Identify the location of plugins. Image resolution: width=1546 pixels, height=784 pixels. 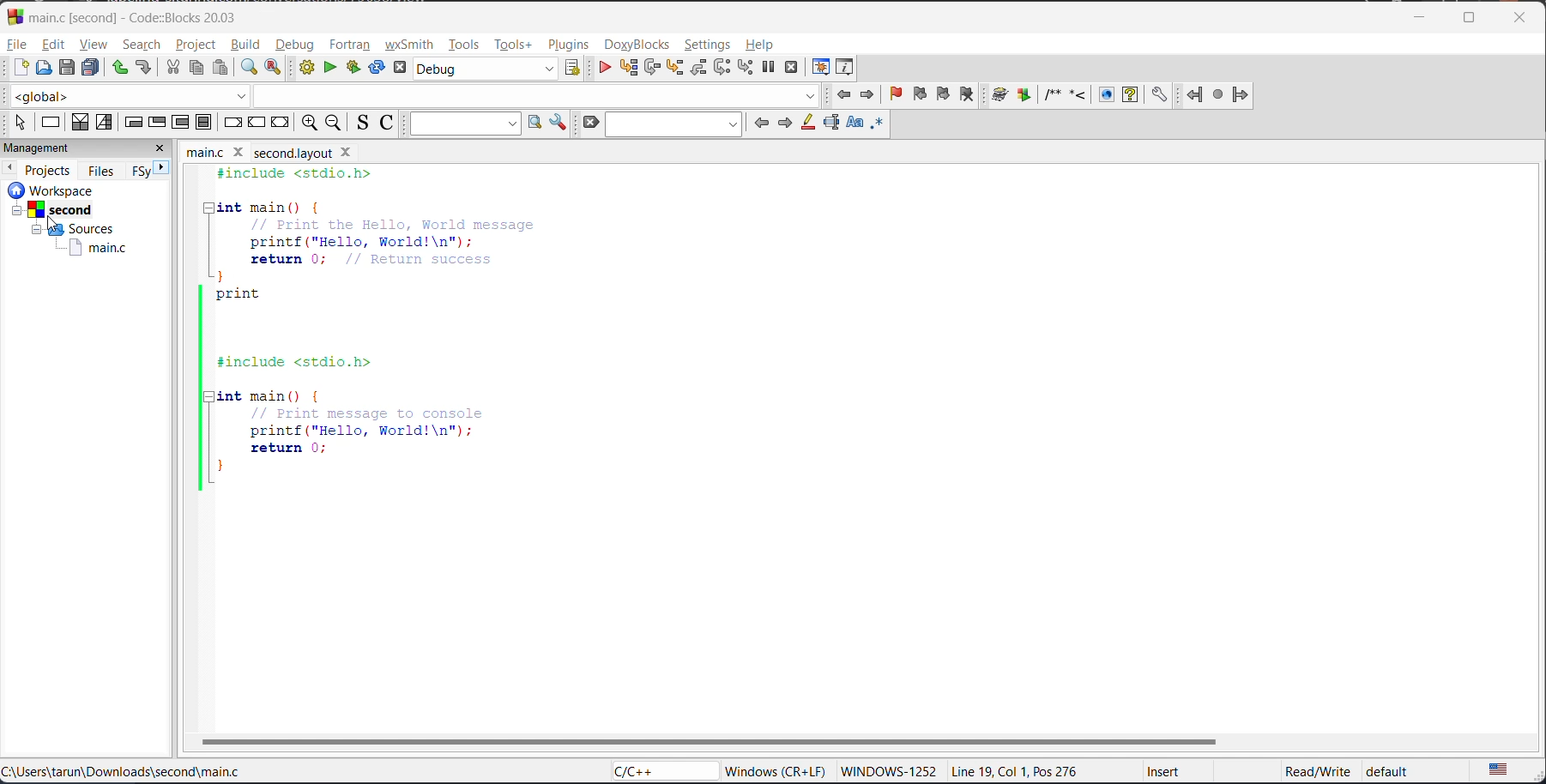
(573, 46).